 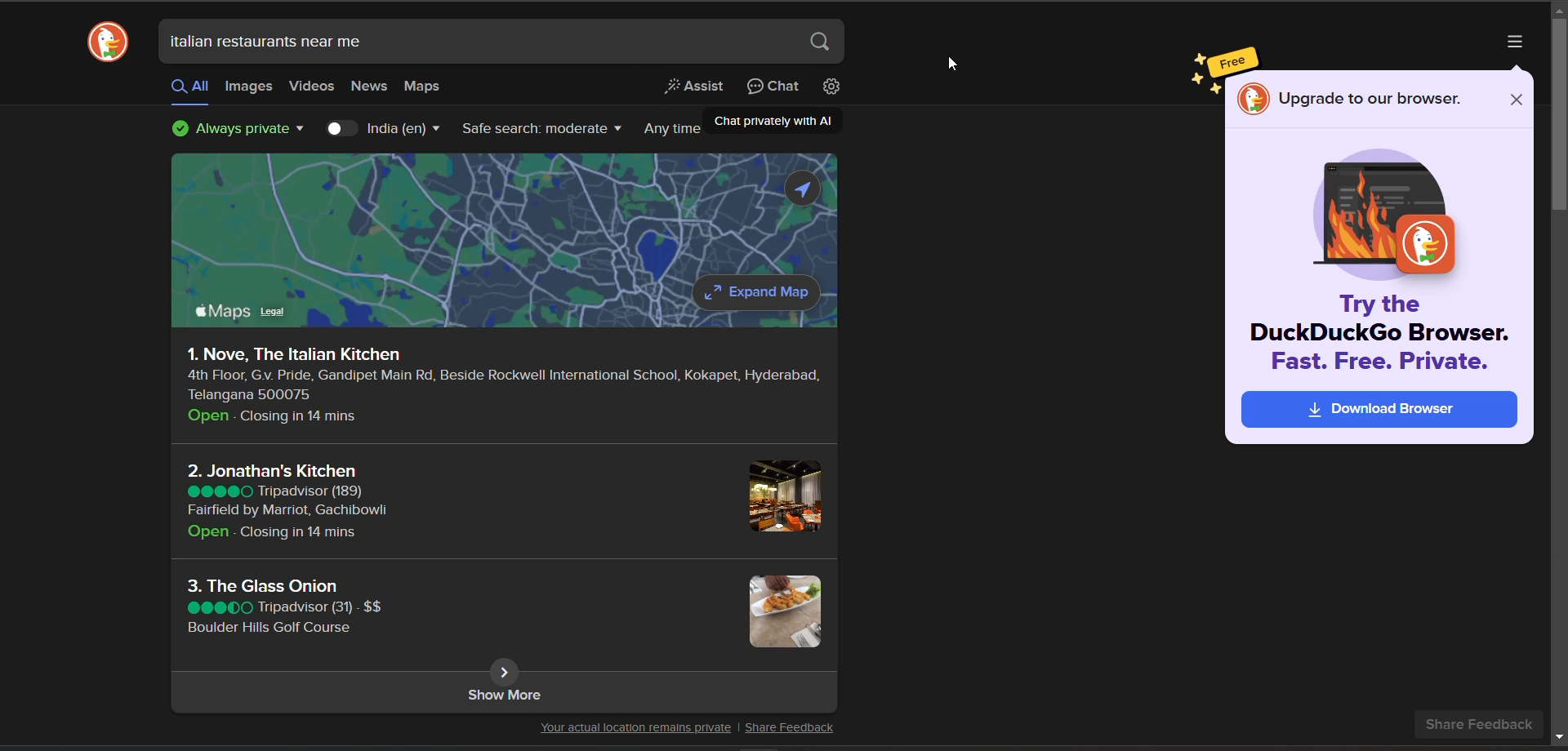 I want to click on Restaurant rating, so click(x=219, y=608).